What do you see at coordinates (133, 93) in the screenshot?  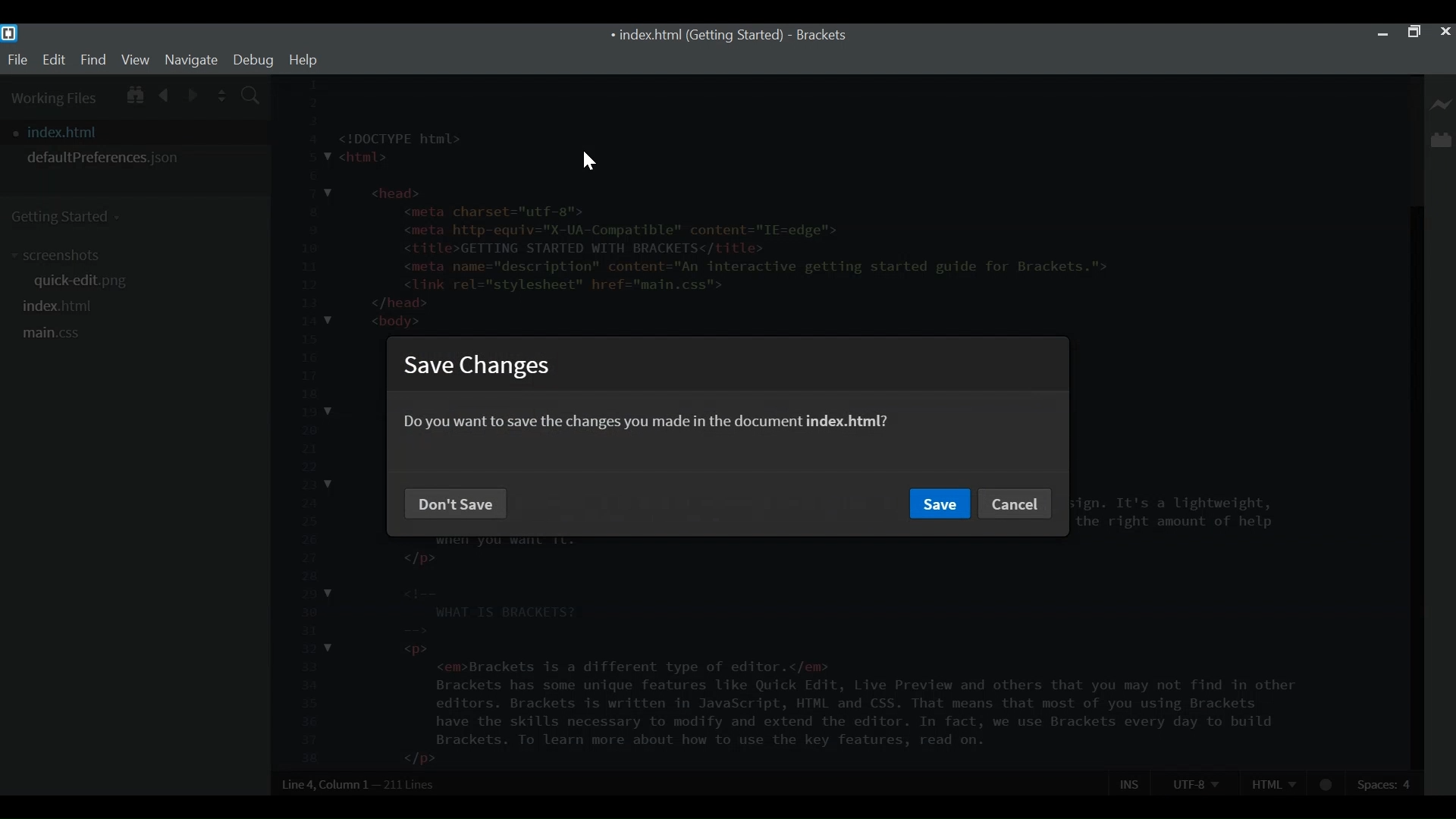 I see `Show in File Tree` at bounding box center [133, 93].